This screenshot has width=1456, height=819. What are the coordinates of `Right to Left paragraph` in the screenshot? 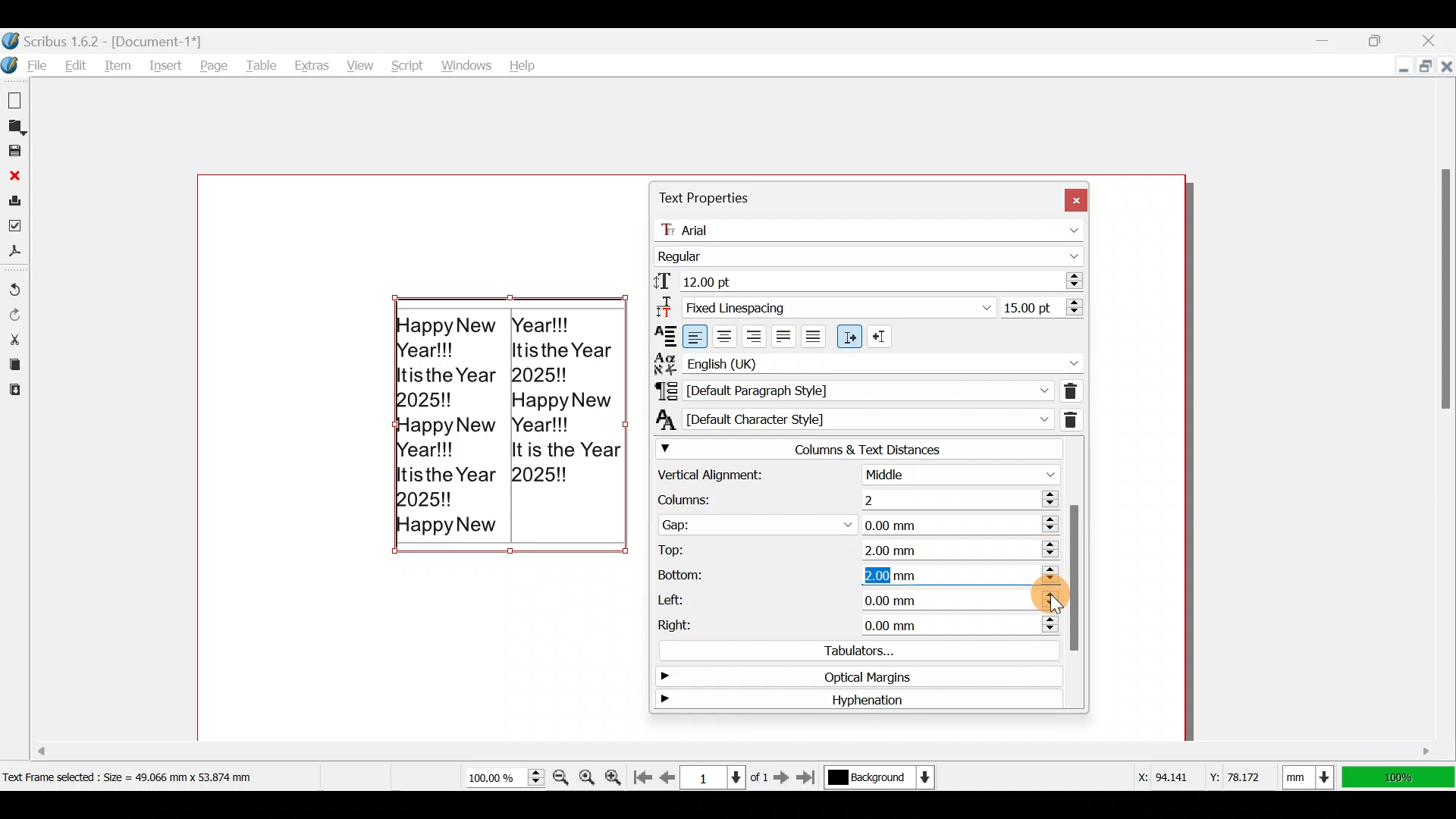 It's located at (882, 333).